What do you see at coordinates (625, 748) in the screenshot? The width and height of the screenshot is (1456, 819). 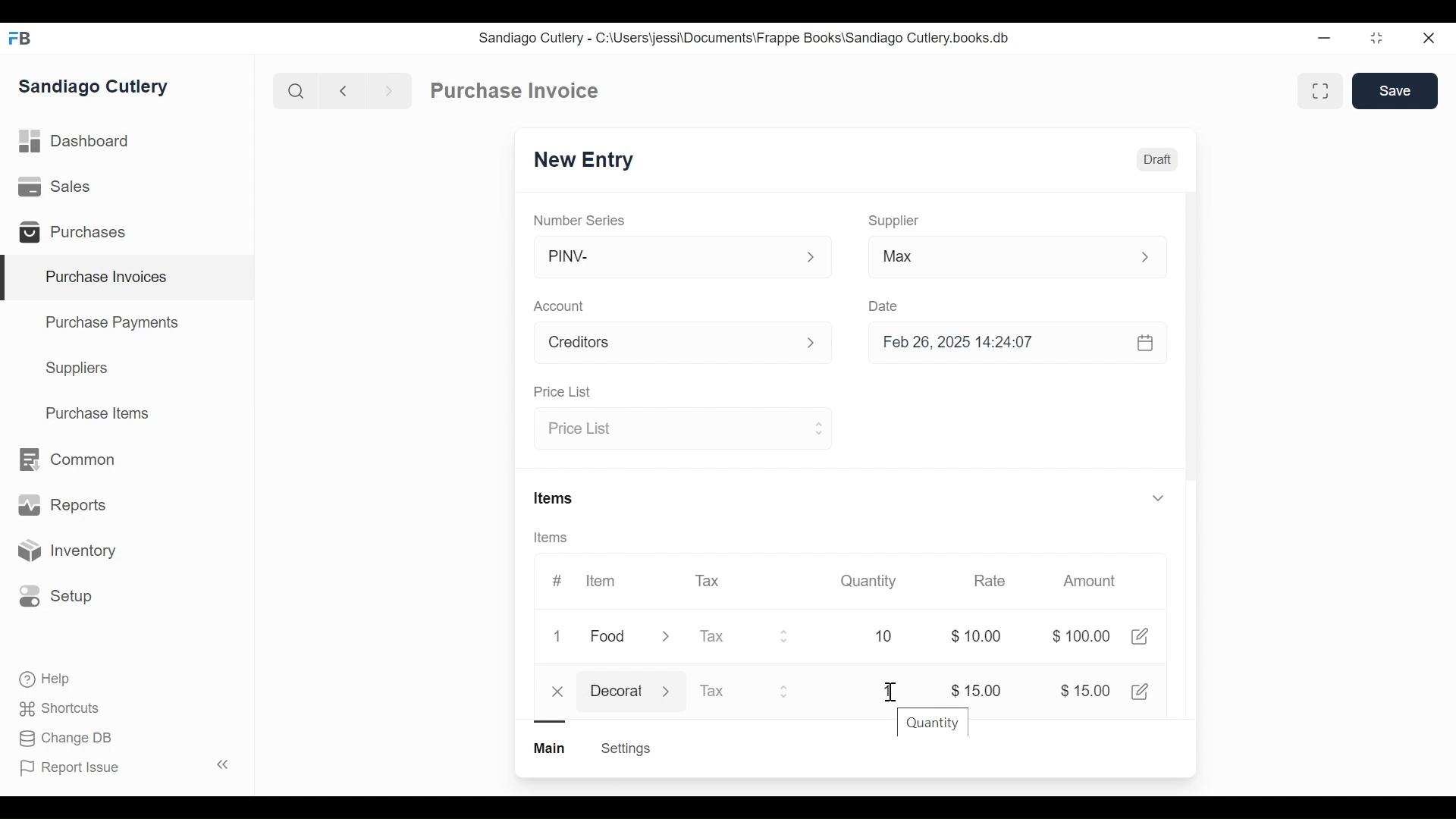 I see `Settings` at bounding box center [625, 748].